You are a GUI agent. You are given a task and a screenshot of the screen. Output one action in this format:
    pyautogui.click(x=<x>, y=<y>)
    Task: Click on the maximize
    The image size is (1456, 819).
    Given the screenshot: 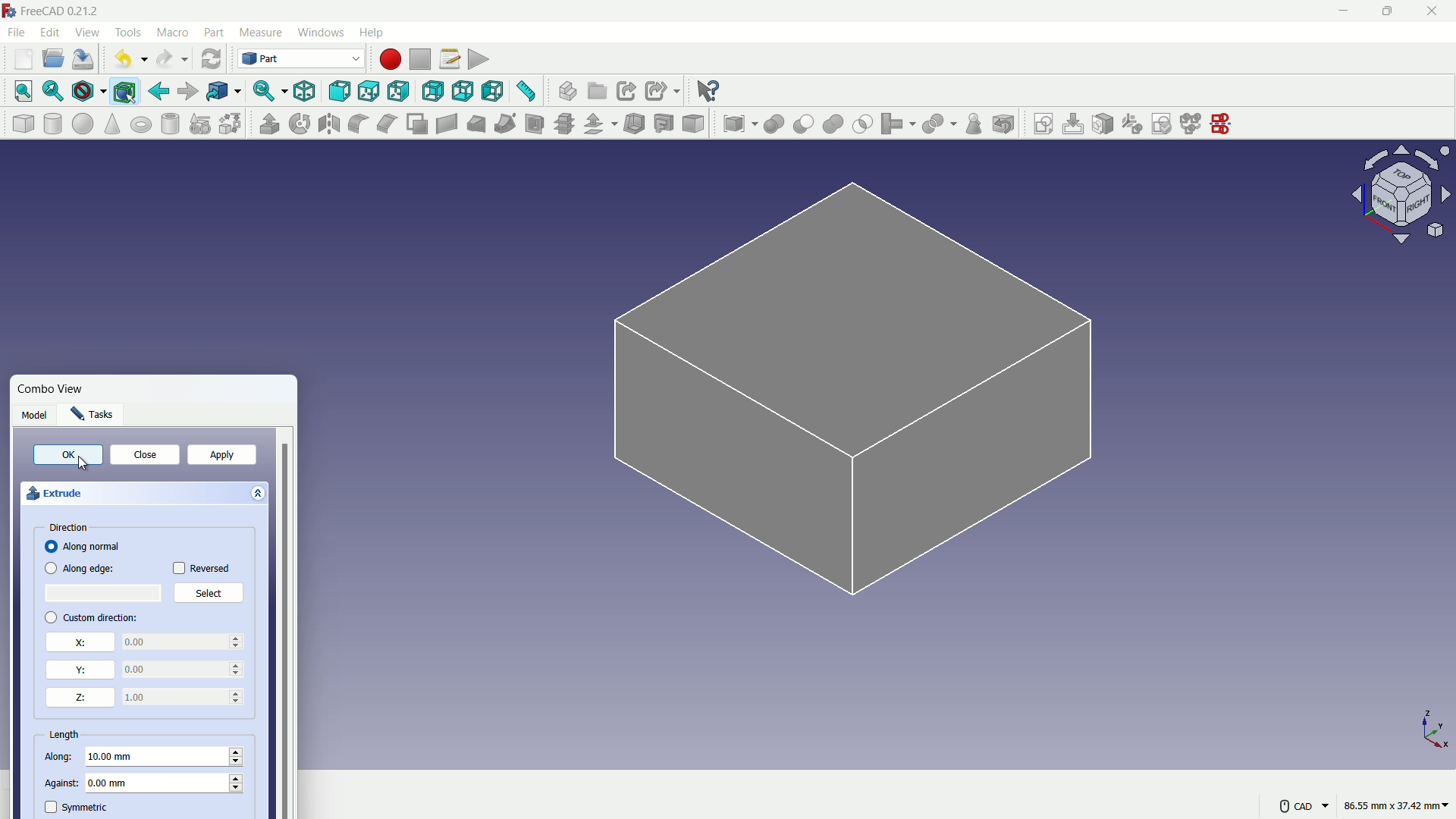 What is the action you would take?
    pyautogui.click(x=1391, y=12)
    